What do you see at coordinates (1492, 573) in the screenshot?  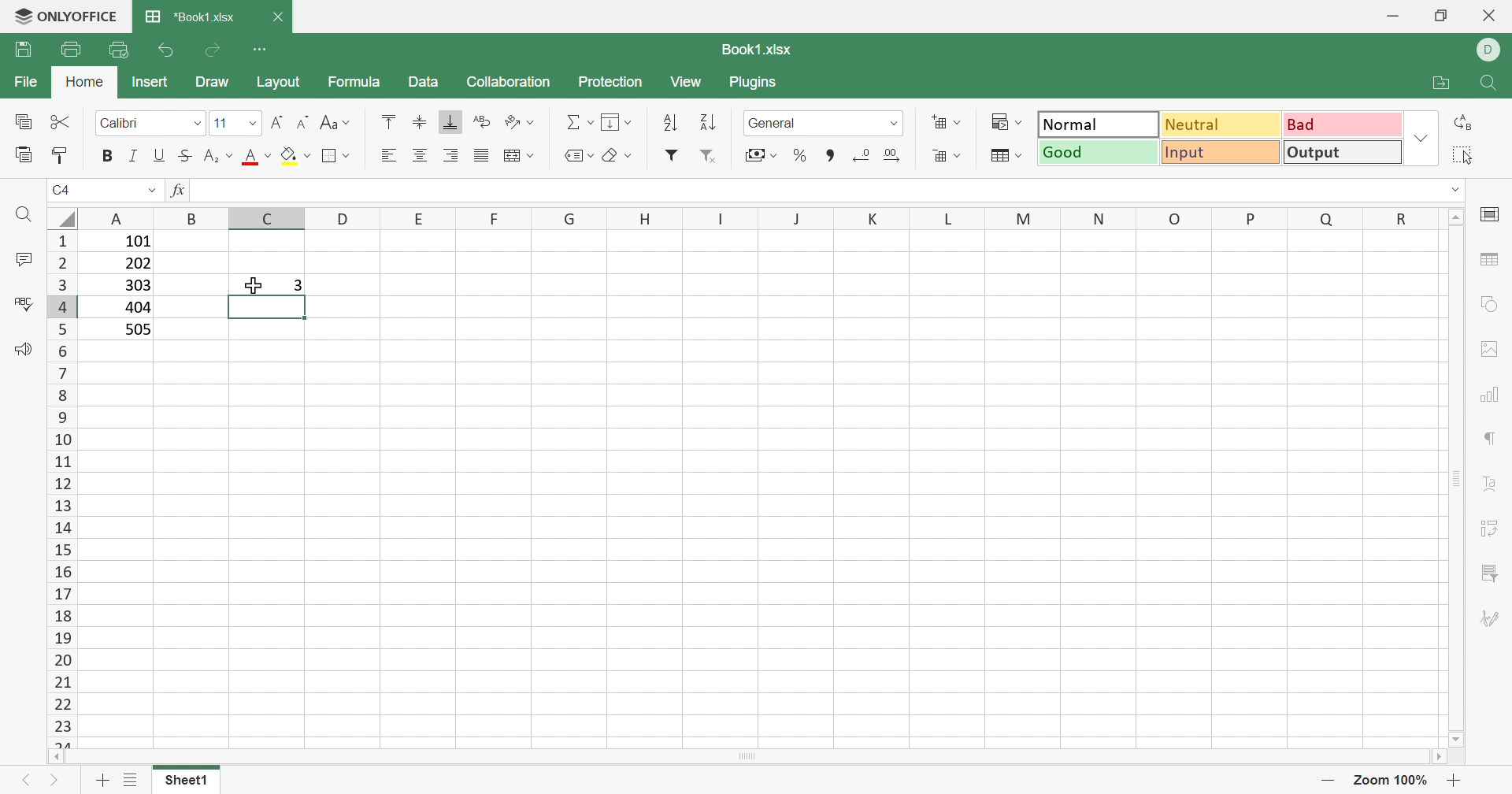 I see `slicer settings` at bounding box center [1492, 573].